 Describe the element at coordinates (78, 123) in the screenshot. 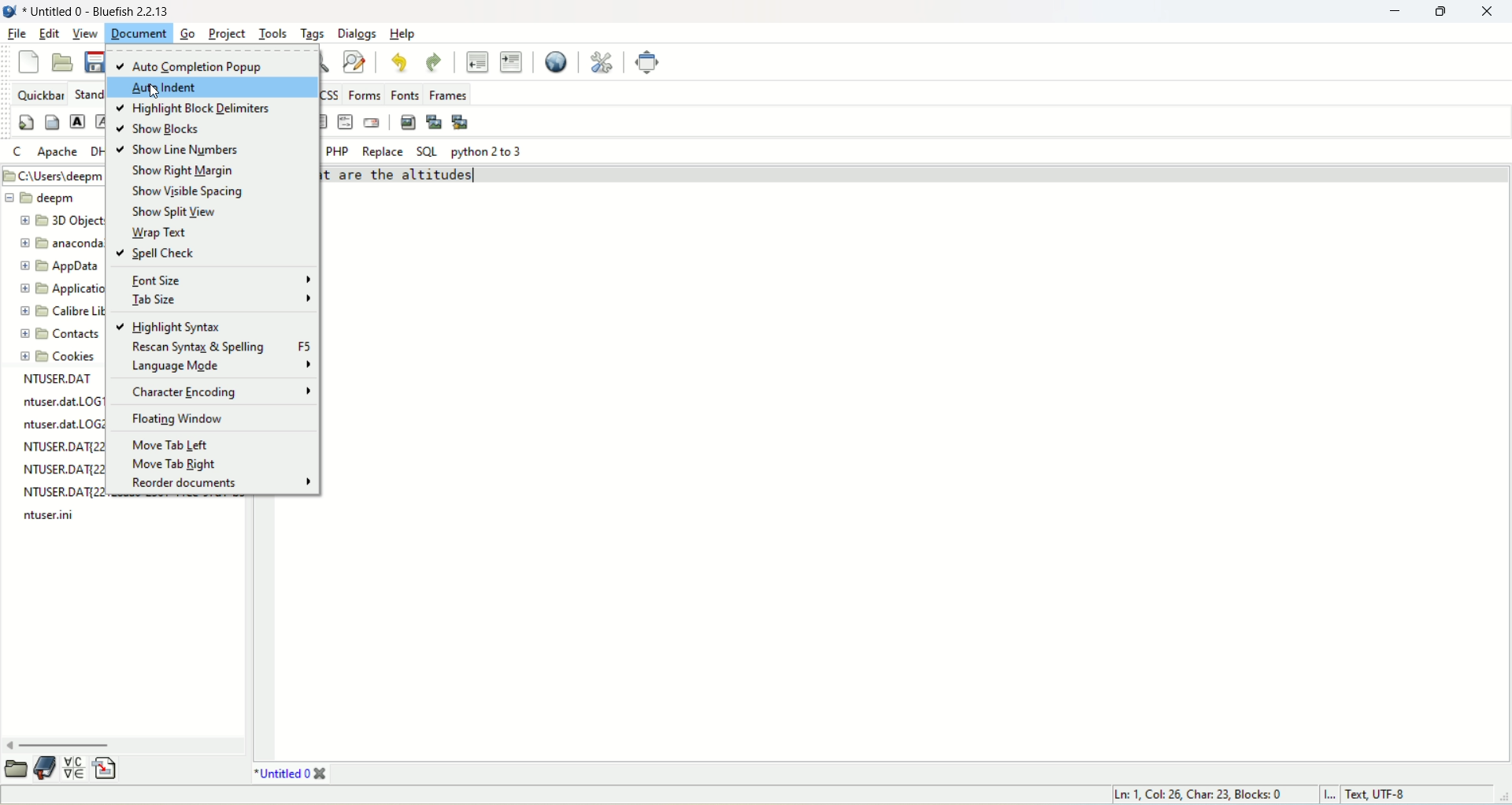

I see `strong` at that location.